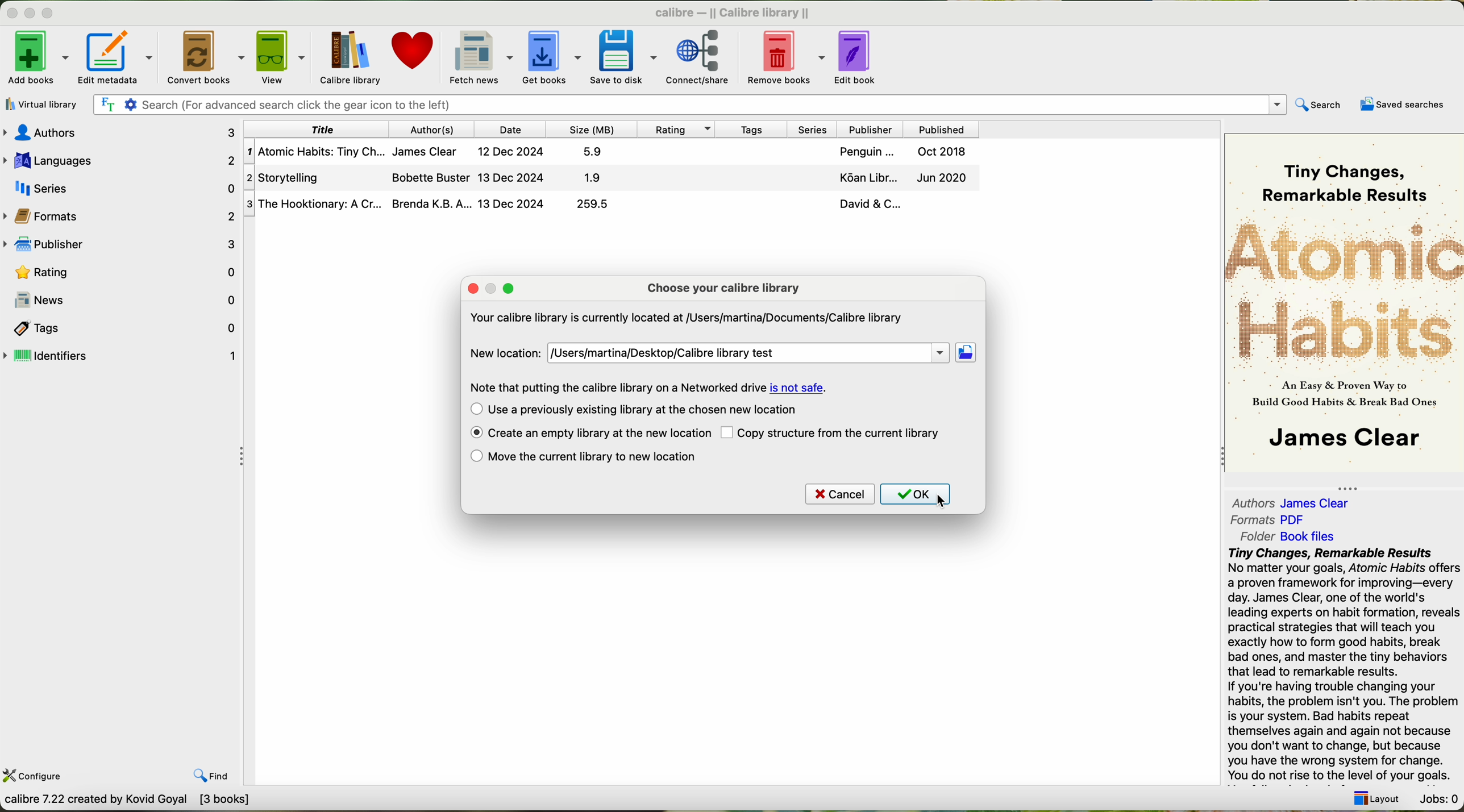 The height and width of the screenshot is (812, 1464). I want to click on on: | /Users/martina/Desktop/Calibre library test, so click(747, 353).